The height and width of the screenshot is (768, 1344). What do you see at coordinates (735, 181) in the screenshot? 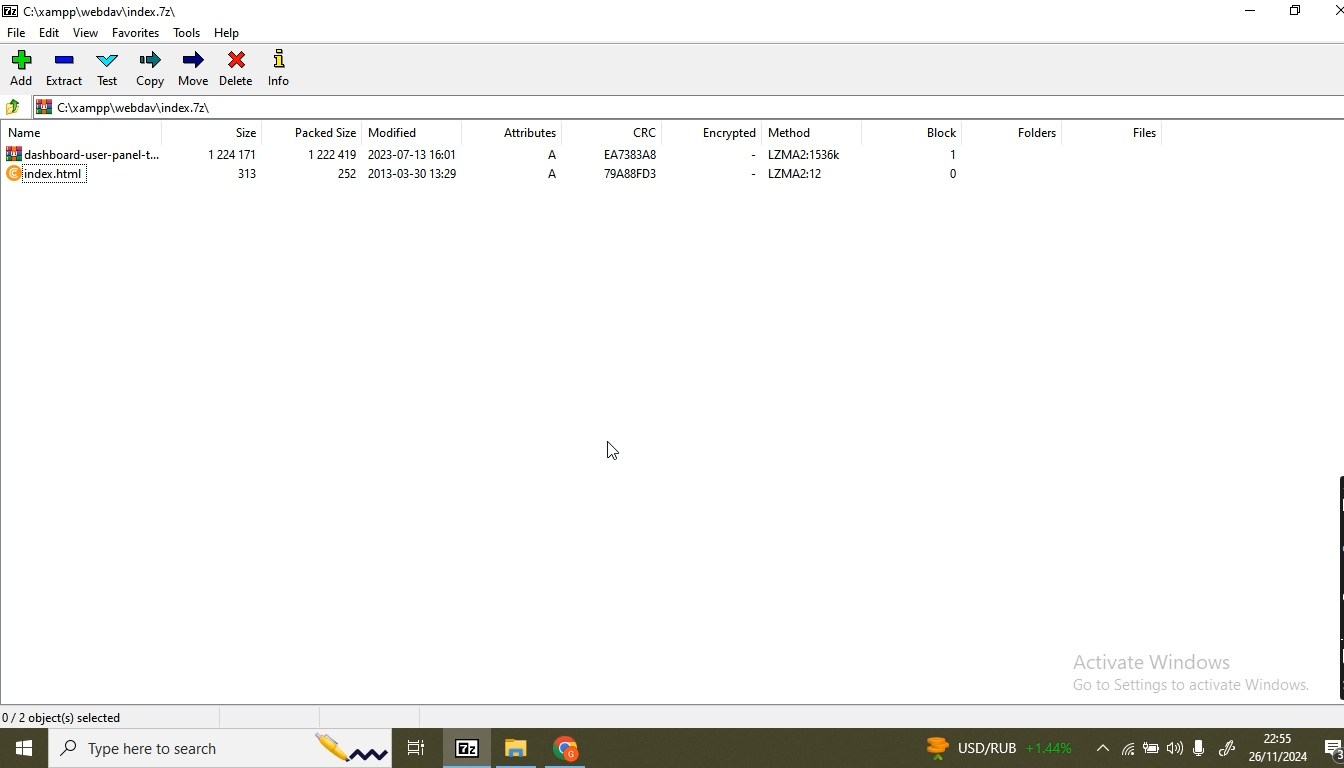
I see `-` at bounding box center [735, 181].